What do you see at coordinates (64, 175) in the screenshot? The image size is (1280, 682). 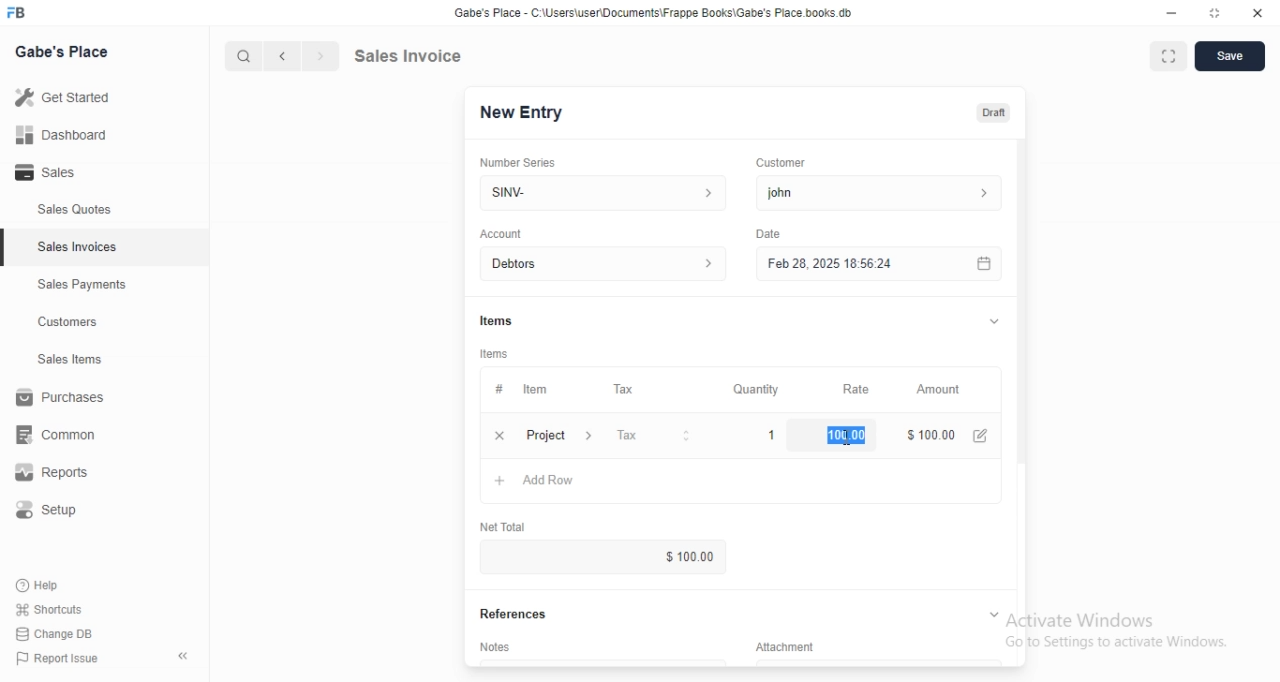 I see `- Sales` at bounding box center [64, 175].